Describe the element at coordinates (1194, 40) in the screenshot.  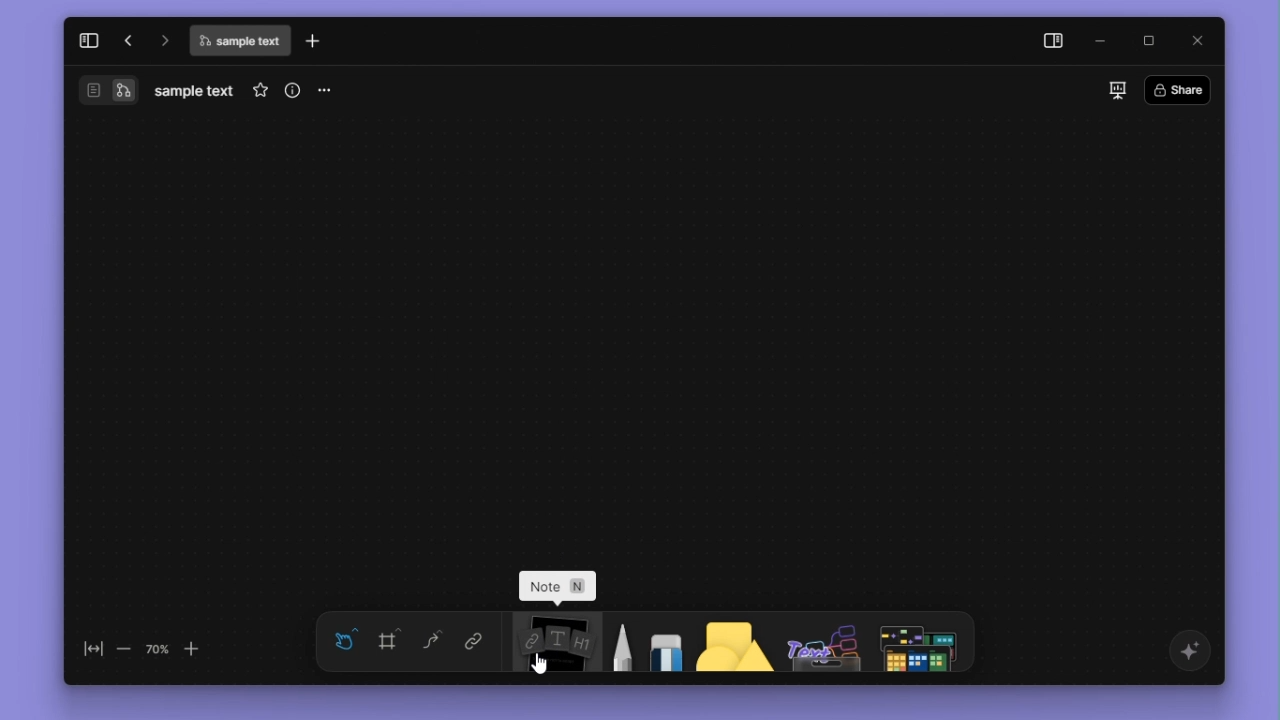
I see `close` at that location.